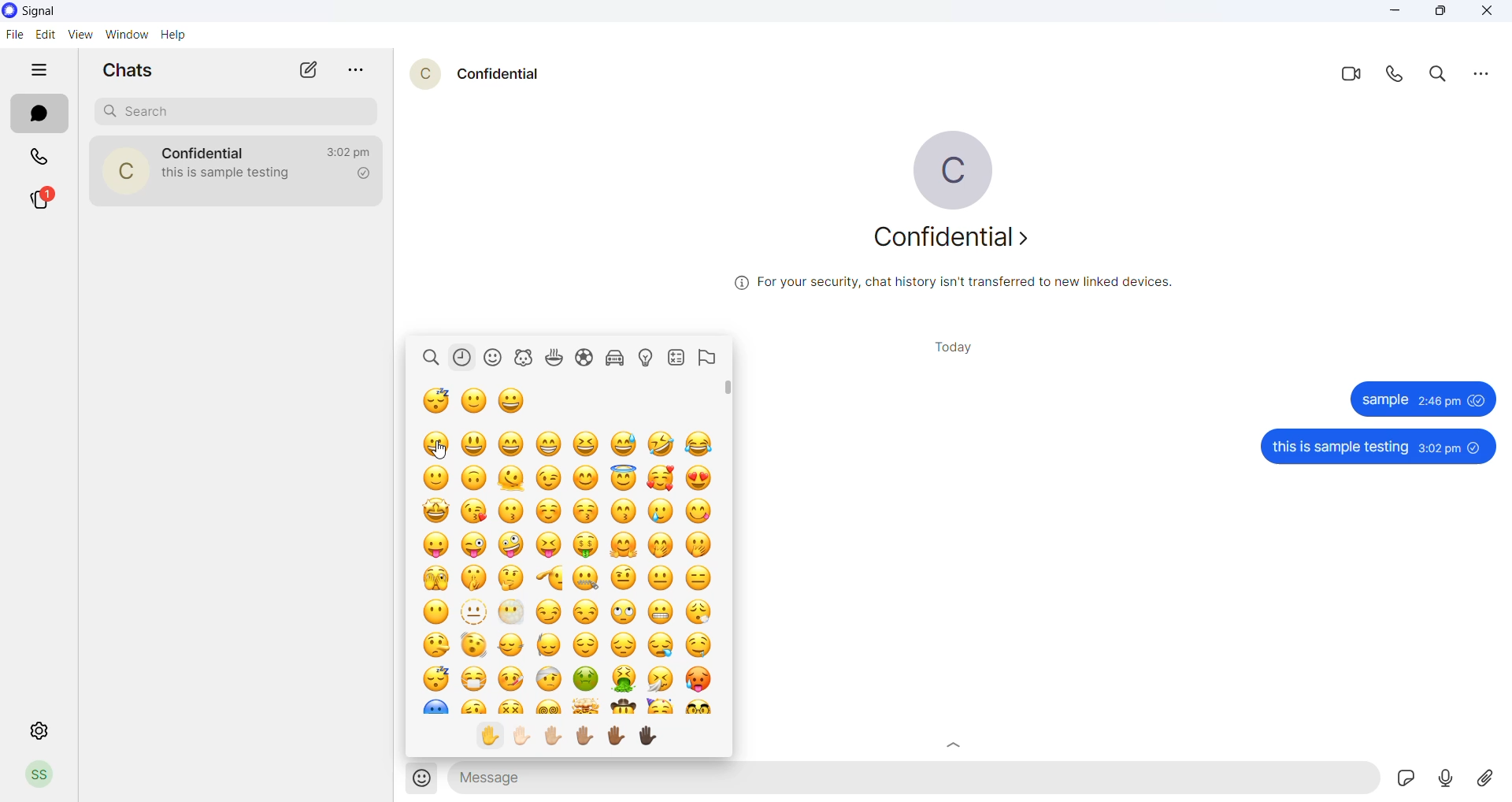  Describe the element at coordinates (358, 70) in the screenshot. I see `more options` at that location.